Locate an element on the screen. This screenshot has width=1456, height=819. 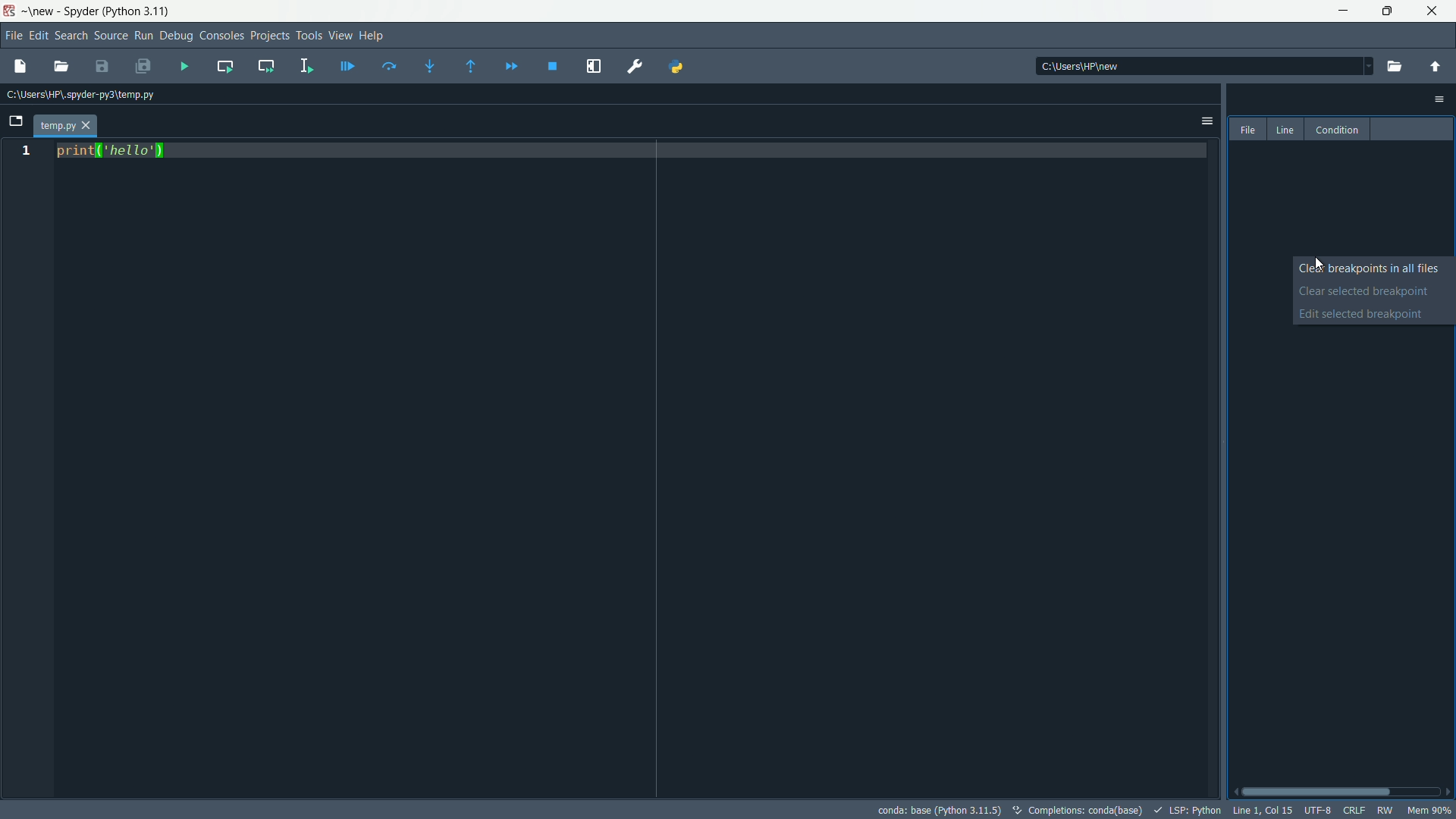
edit menu is located at coordinates (39, 36).